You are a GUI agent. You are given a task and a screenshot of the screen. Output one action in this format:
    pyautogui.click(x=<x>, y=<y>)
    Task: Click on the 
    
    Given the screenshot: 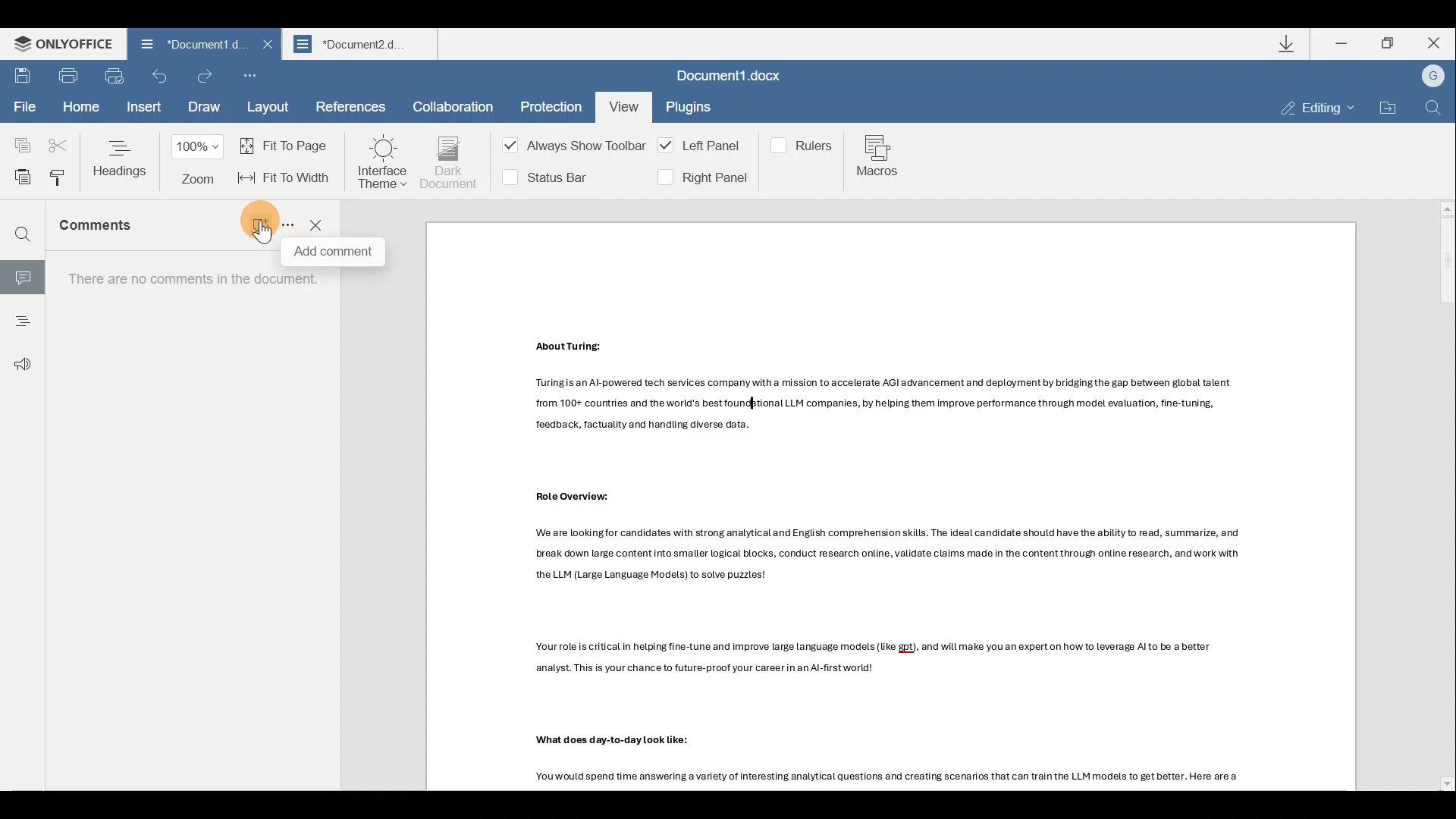 What is the action you would take?
    pyautogui.click(x=263, y=236)
    